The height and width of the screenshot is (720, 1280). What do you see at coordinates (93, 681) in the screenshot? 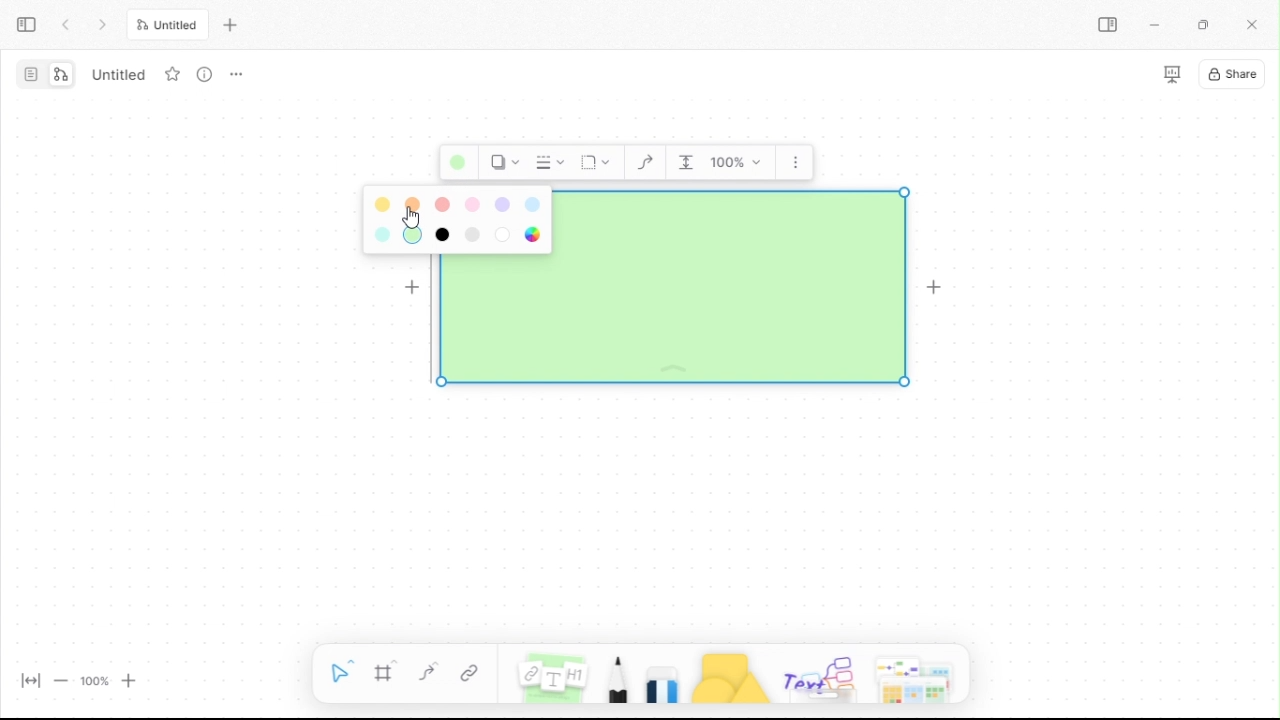
I see `100%` at bounding box center [93, 681].